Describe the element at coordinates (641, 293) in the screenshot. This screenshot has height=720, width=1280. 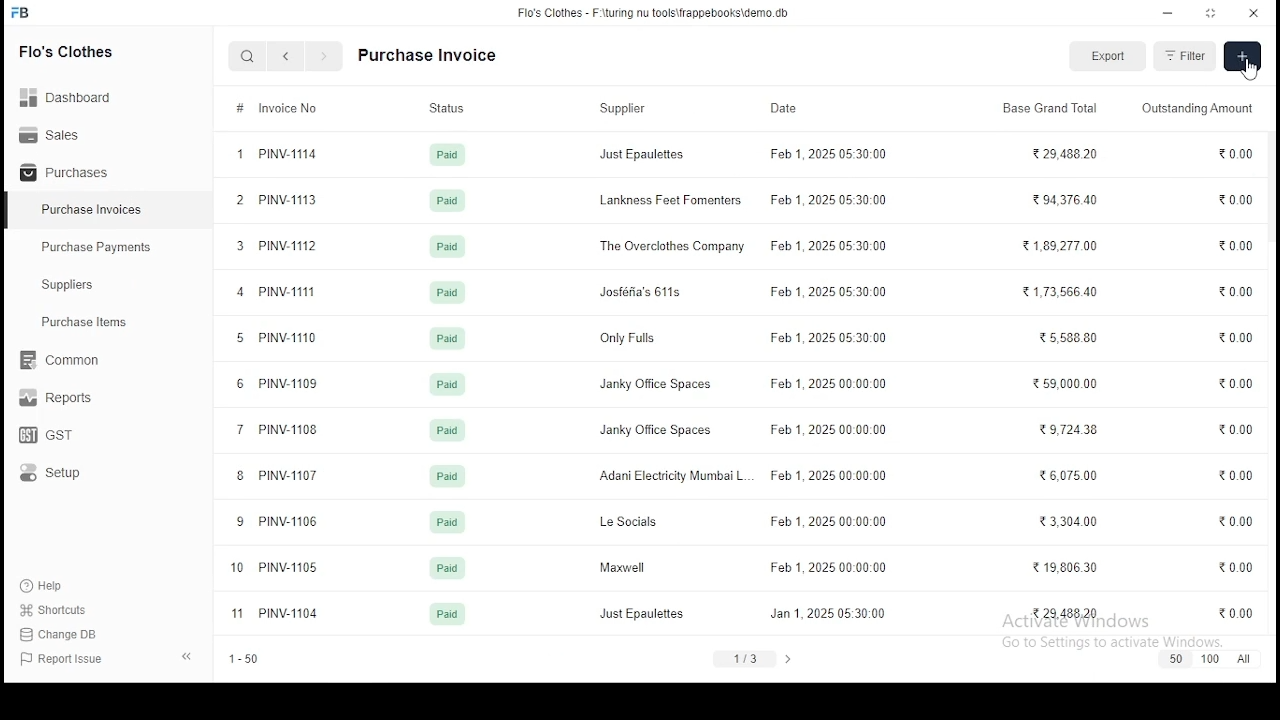
I see `josfena 611s` at that location.